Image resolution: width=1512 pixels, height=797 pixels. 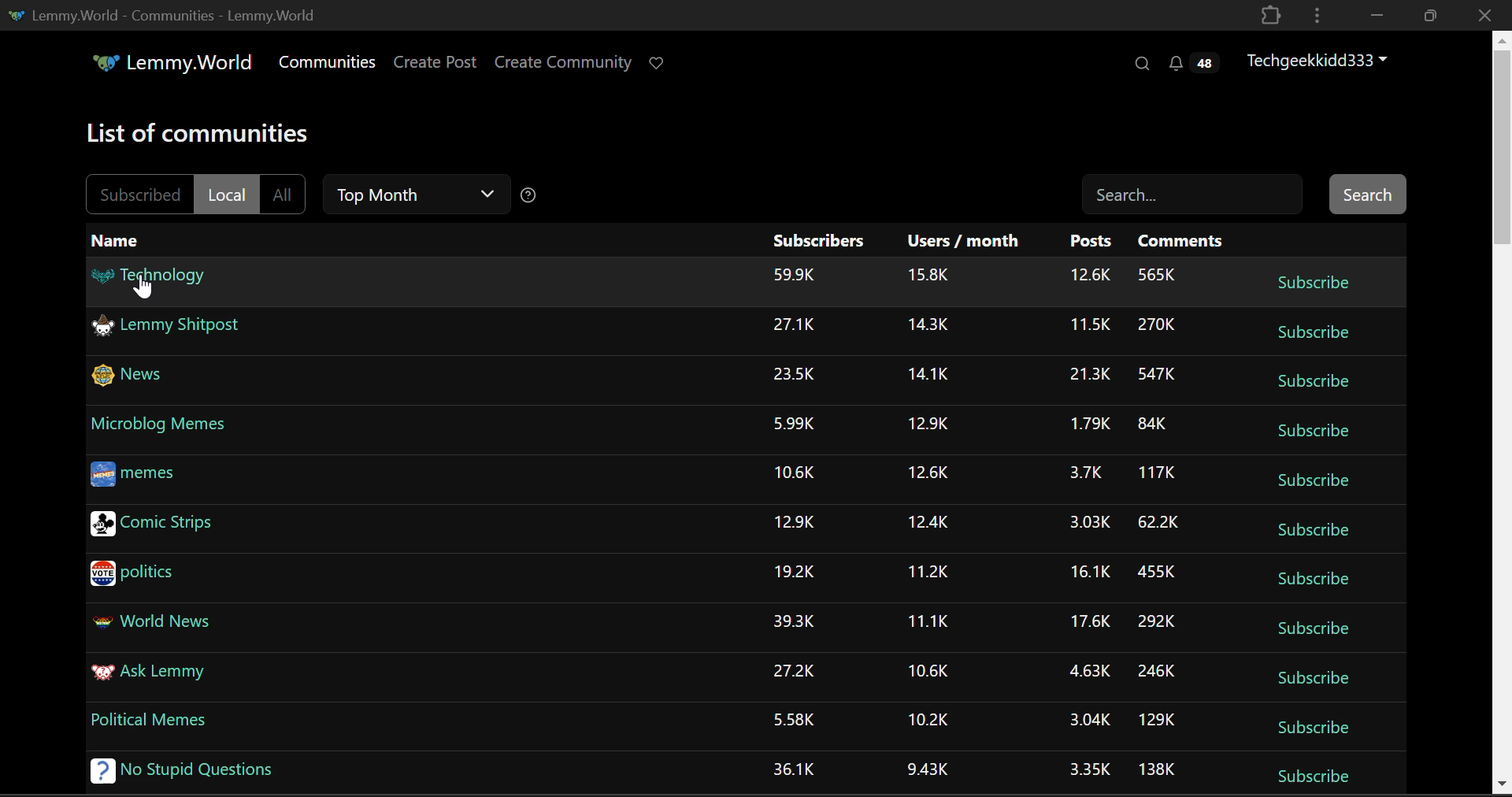 What do you see at coordinates (1317, 379) in the screenshot?
I see `Subscribe` at bounding box center [1317, 379].